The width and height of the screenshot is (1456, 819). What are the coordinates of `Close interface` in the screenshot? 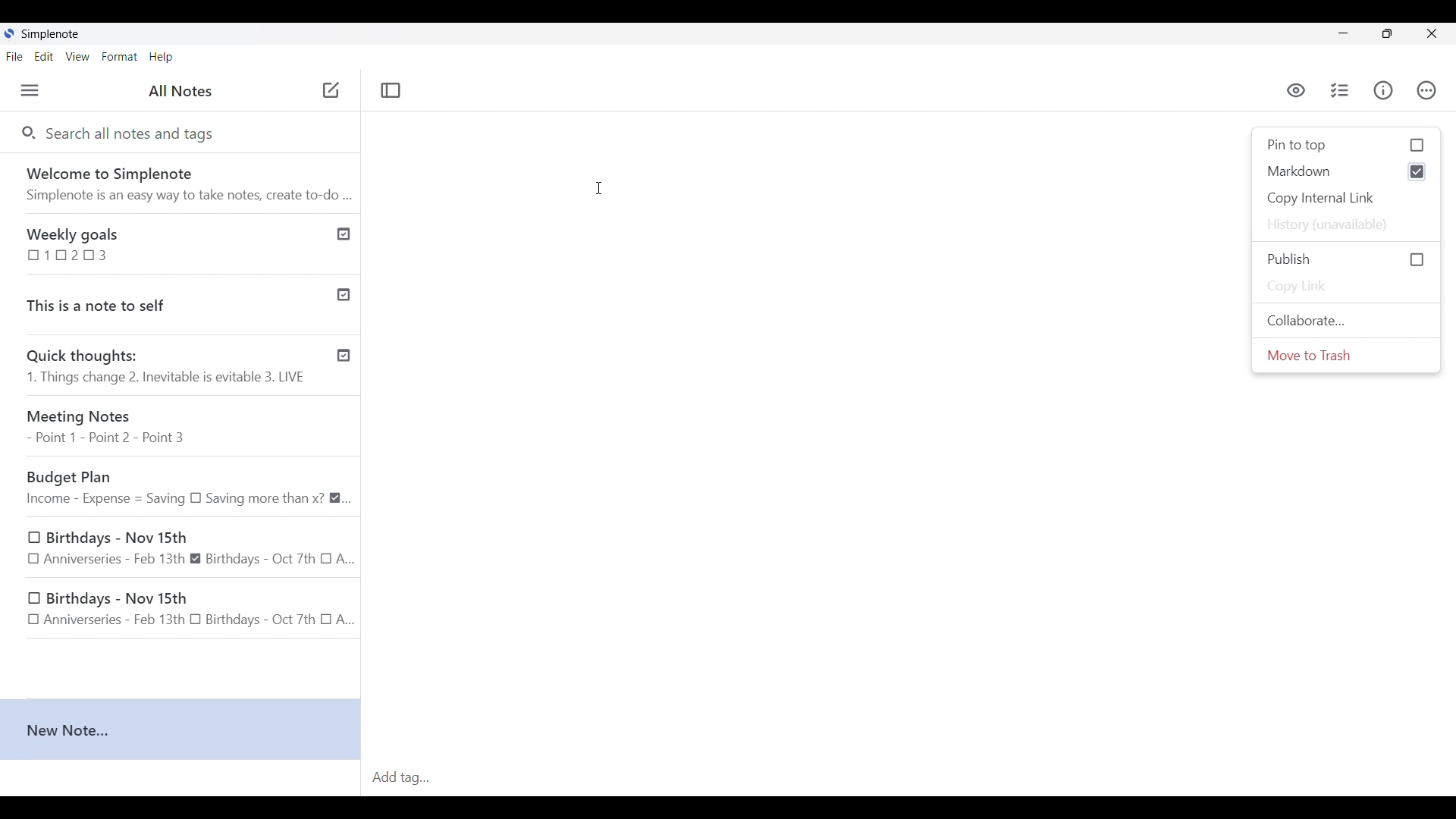 It's located at (1431, 33).